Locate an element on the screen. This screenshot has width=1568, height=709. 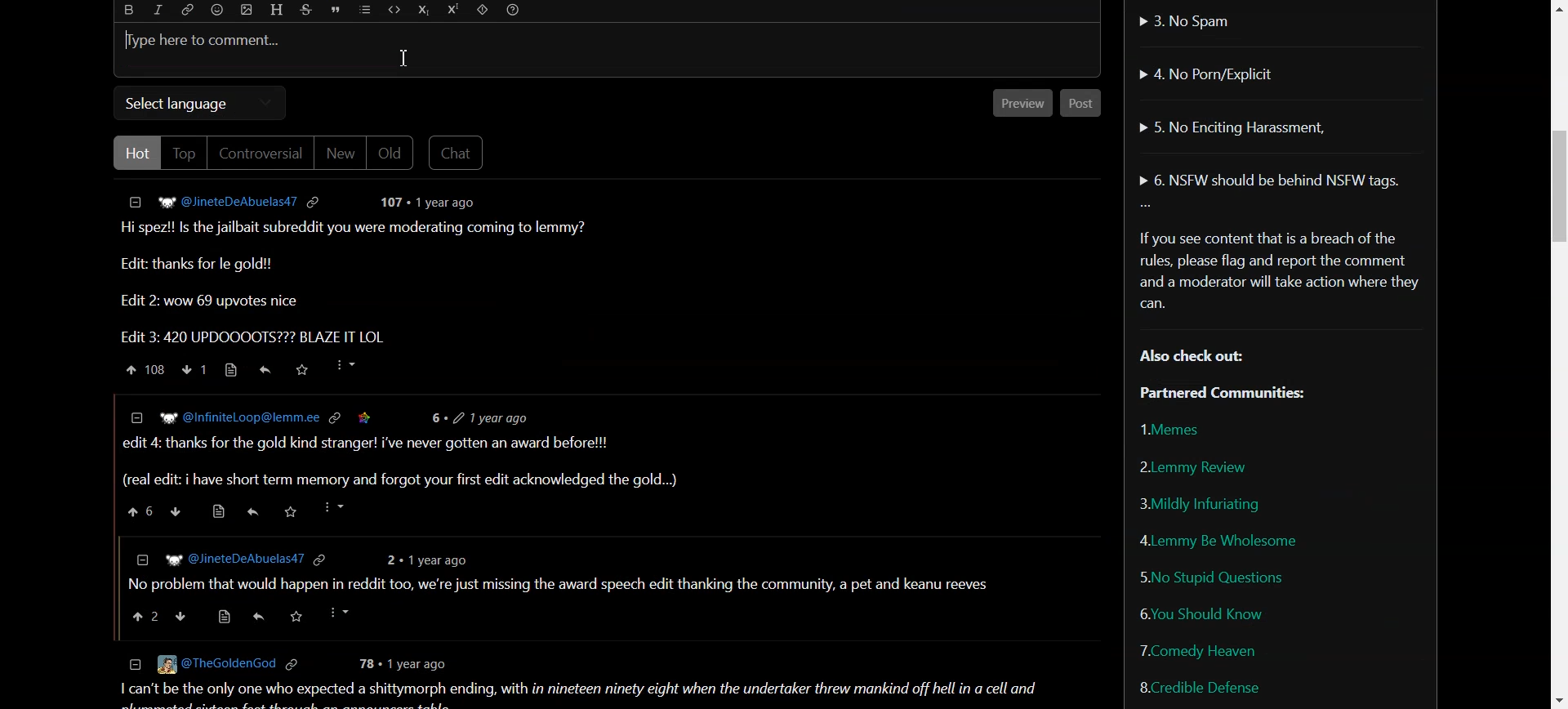
No Spam is located at coordinates (1186, 20).